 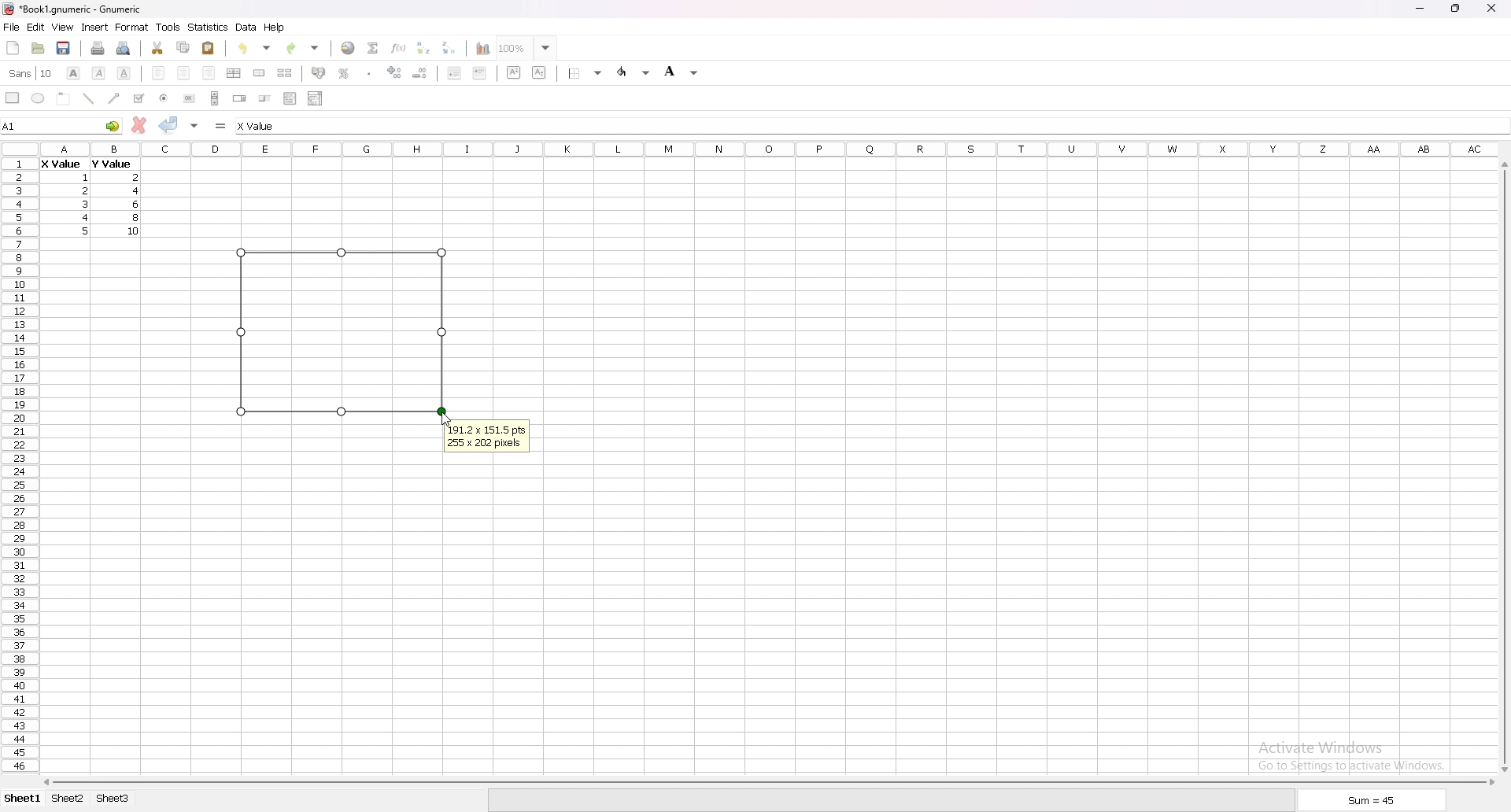 I want to click on summation, so click(x=372, y=47).